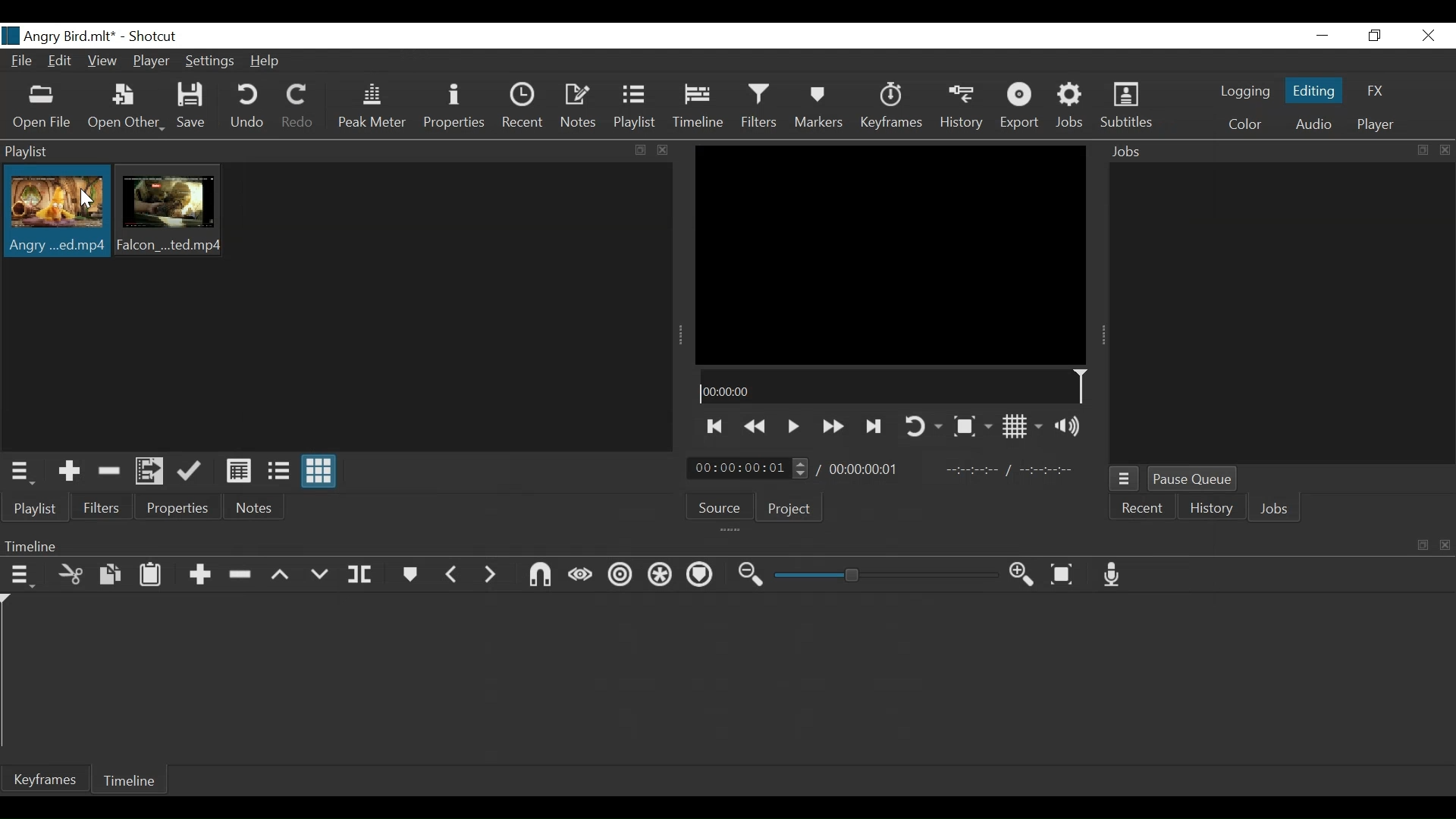  I want to click on Scrub while dragging, so click(581, 578).